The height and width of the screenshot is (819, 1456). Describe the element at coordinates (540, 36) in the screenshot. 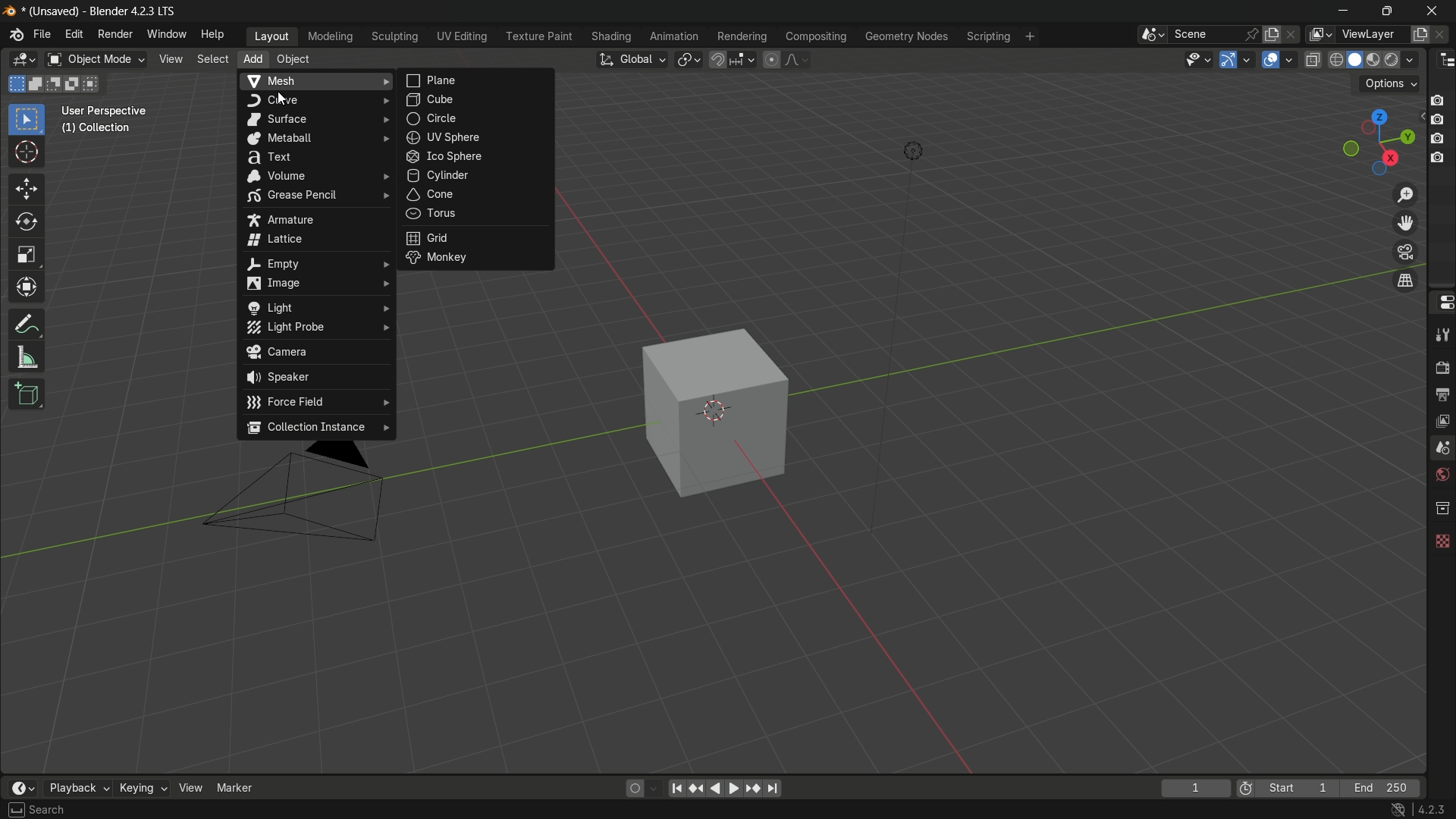

I see `texture paint menu` at that location.